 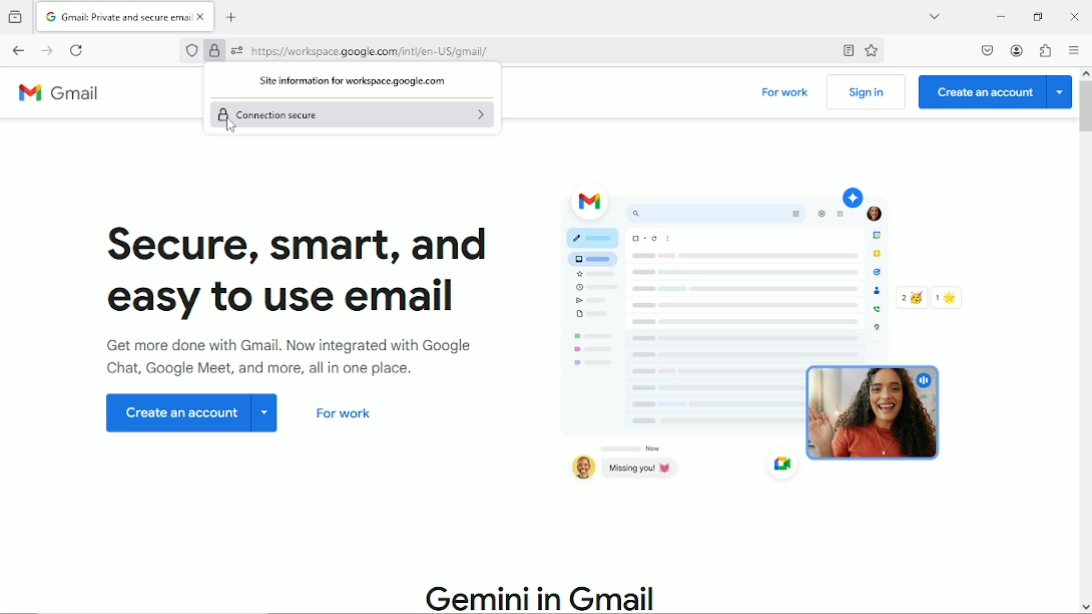 I want to click on  https:// workspace google.com/inti/en-US/gmail/, so click(x=371, y=52).